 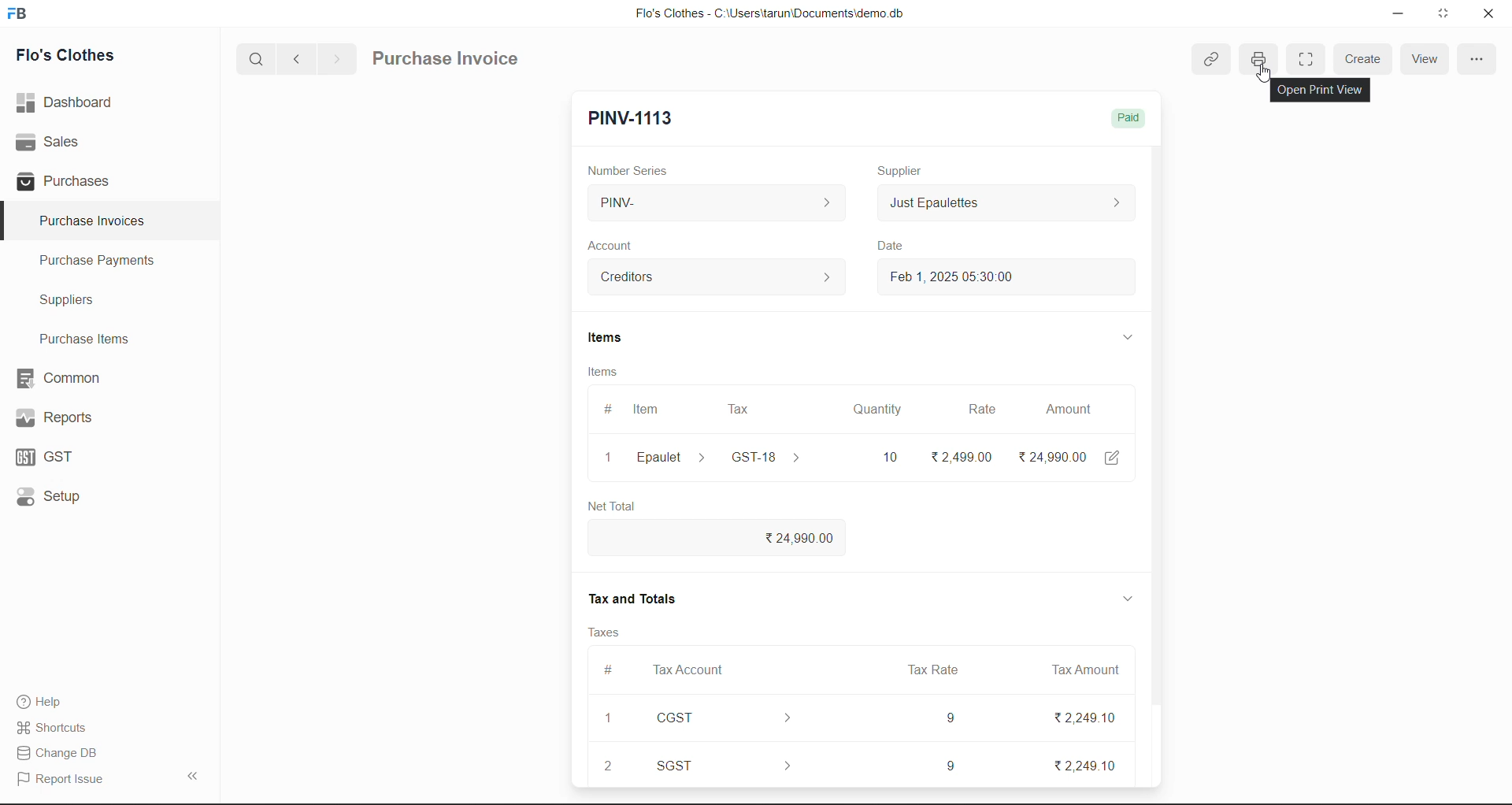 What do you see at coordinates (447, 59) in the screenshot?
I see `Purchase Invoice` at bounding box center [447, 59].